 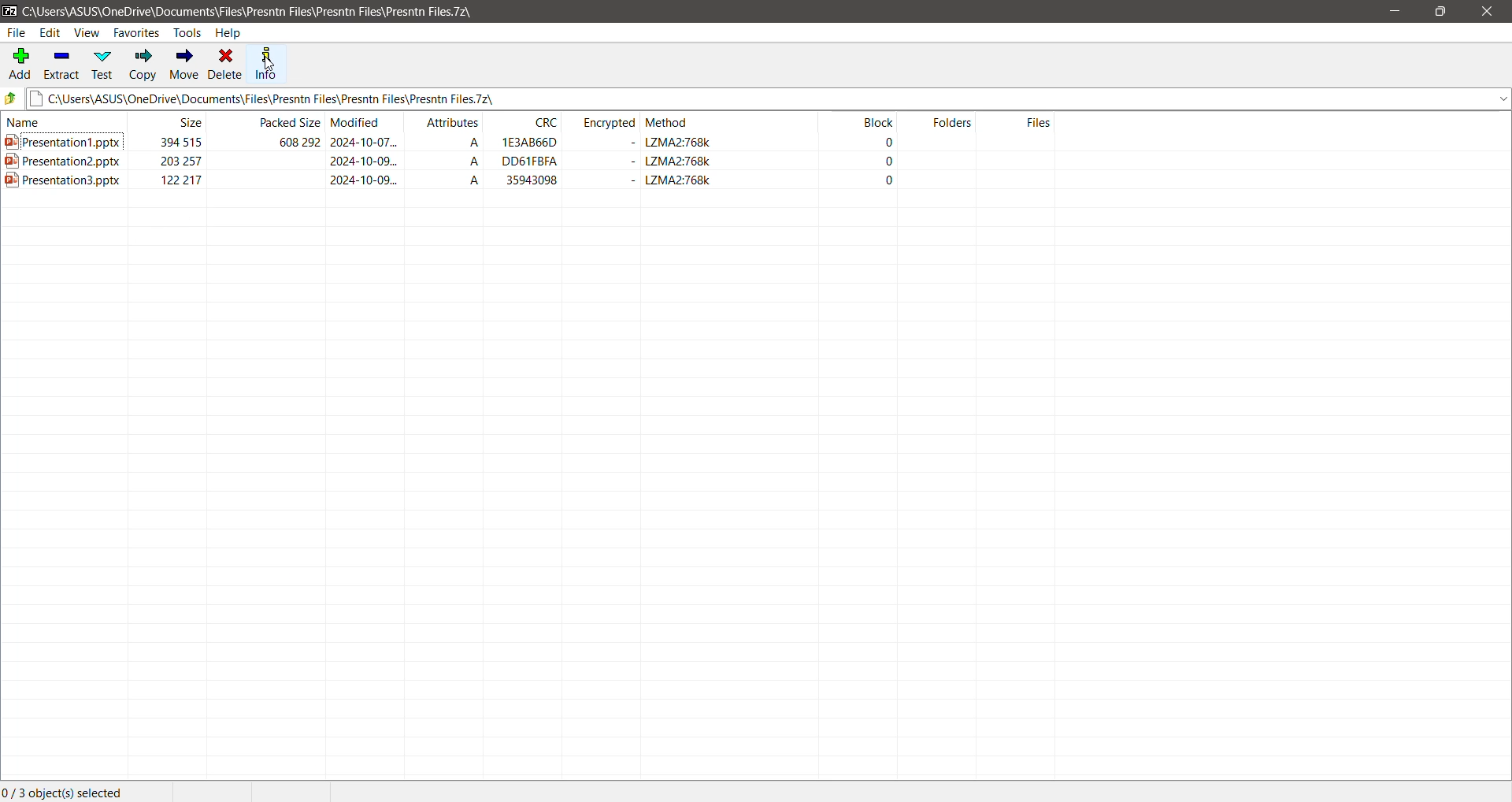 What do you see at coordinates (142, 65) in the screenshot?
I see `Copy` at bounding box center [142, 65].